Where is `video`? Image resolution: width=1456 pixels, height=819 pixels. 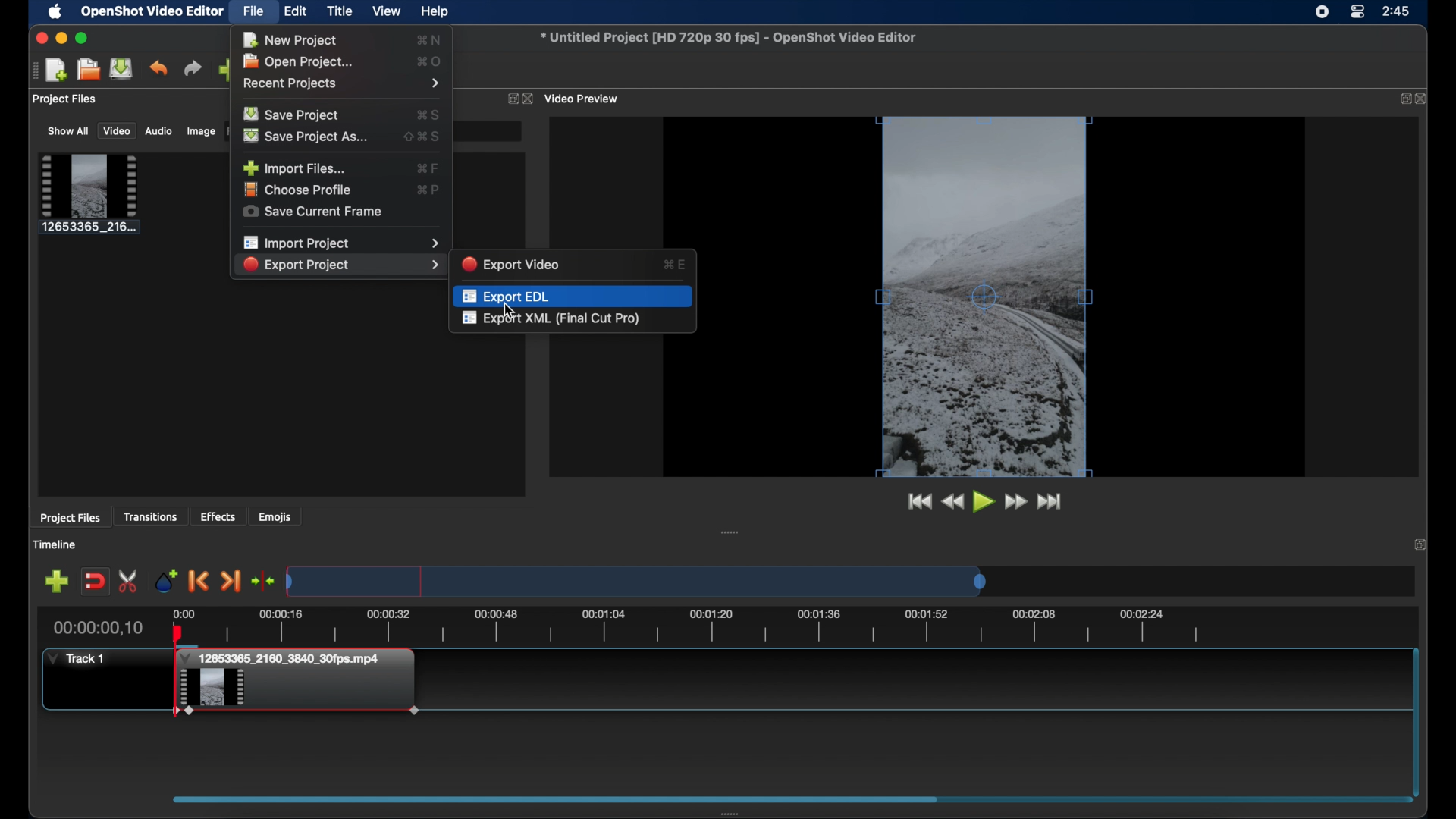 video is located at coordinates (117, 131).